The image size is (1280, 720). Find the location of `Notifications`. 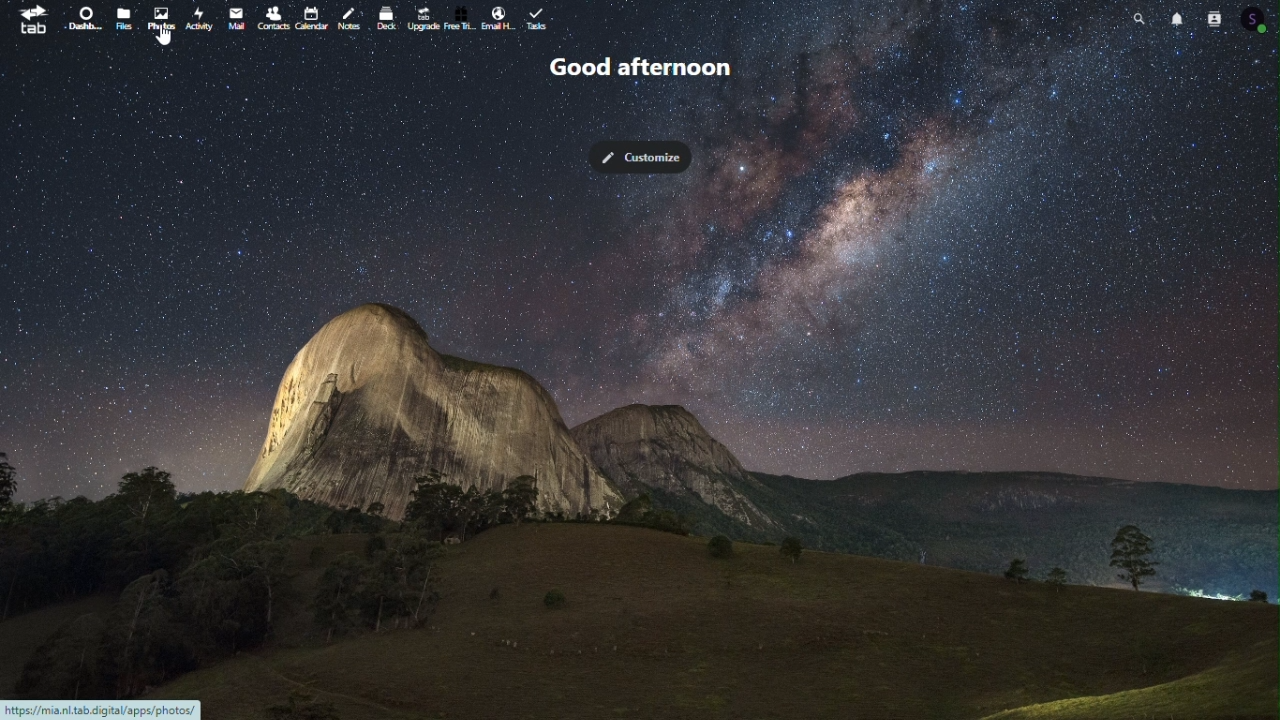

Notifications is located at coordinates (1179, 16).